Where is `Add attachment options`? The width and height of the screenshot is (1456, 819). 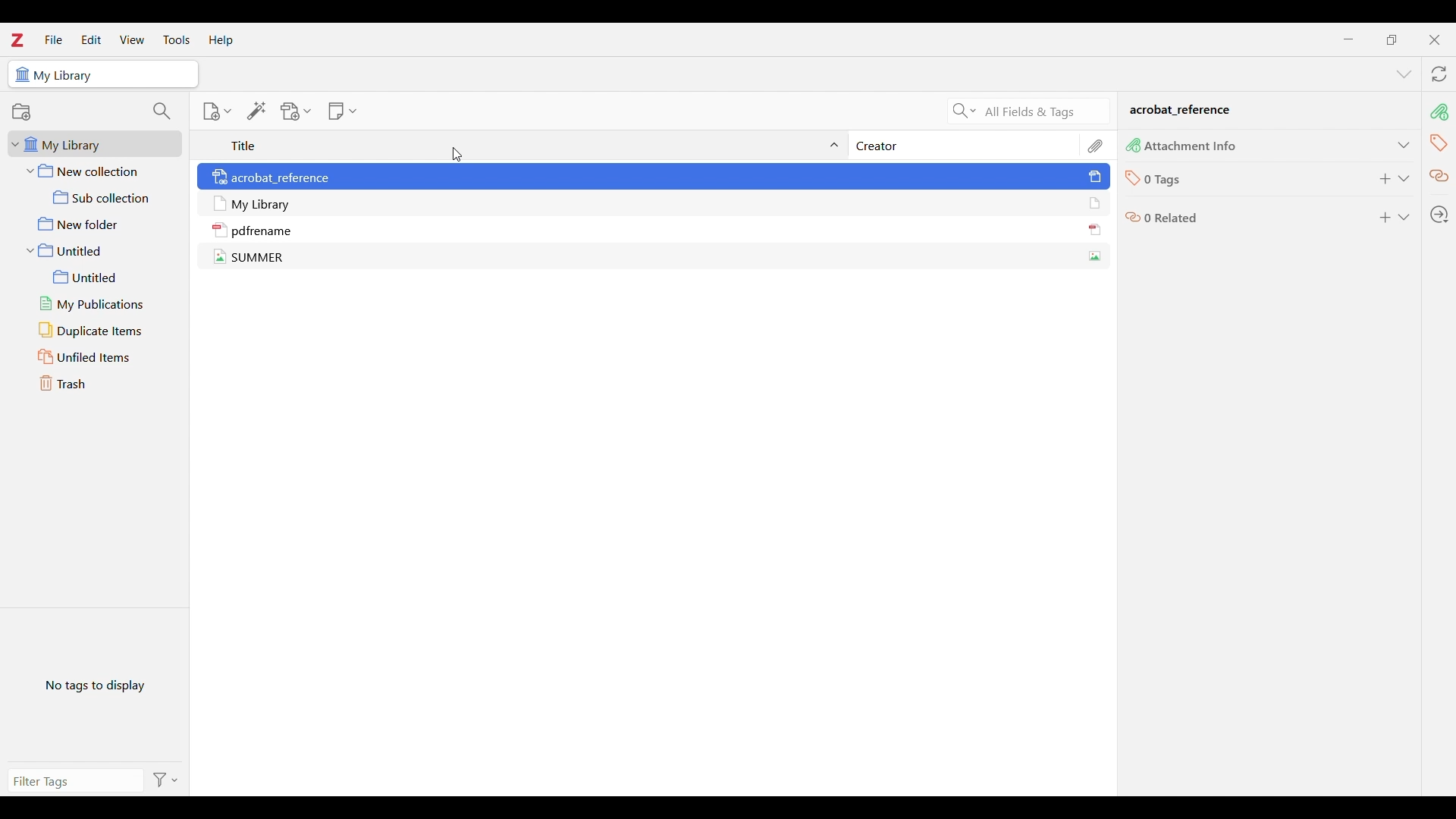
Add attachment options is located at coordinates (296, 111).